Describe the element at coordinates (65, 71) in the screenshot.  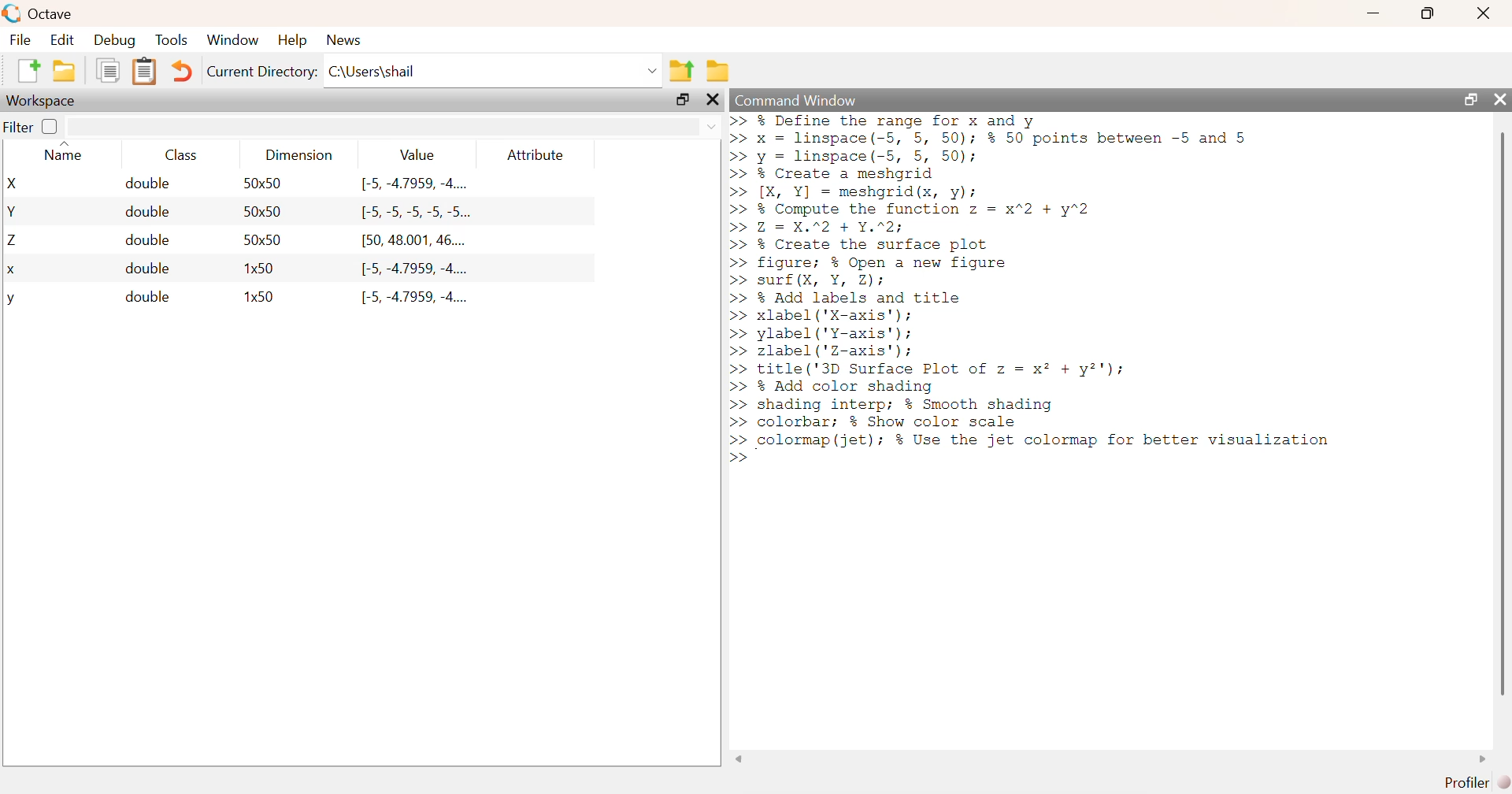
I see `New Folder` at that location.